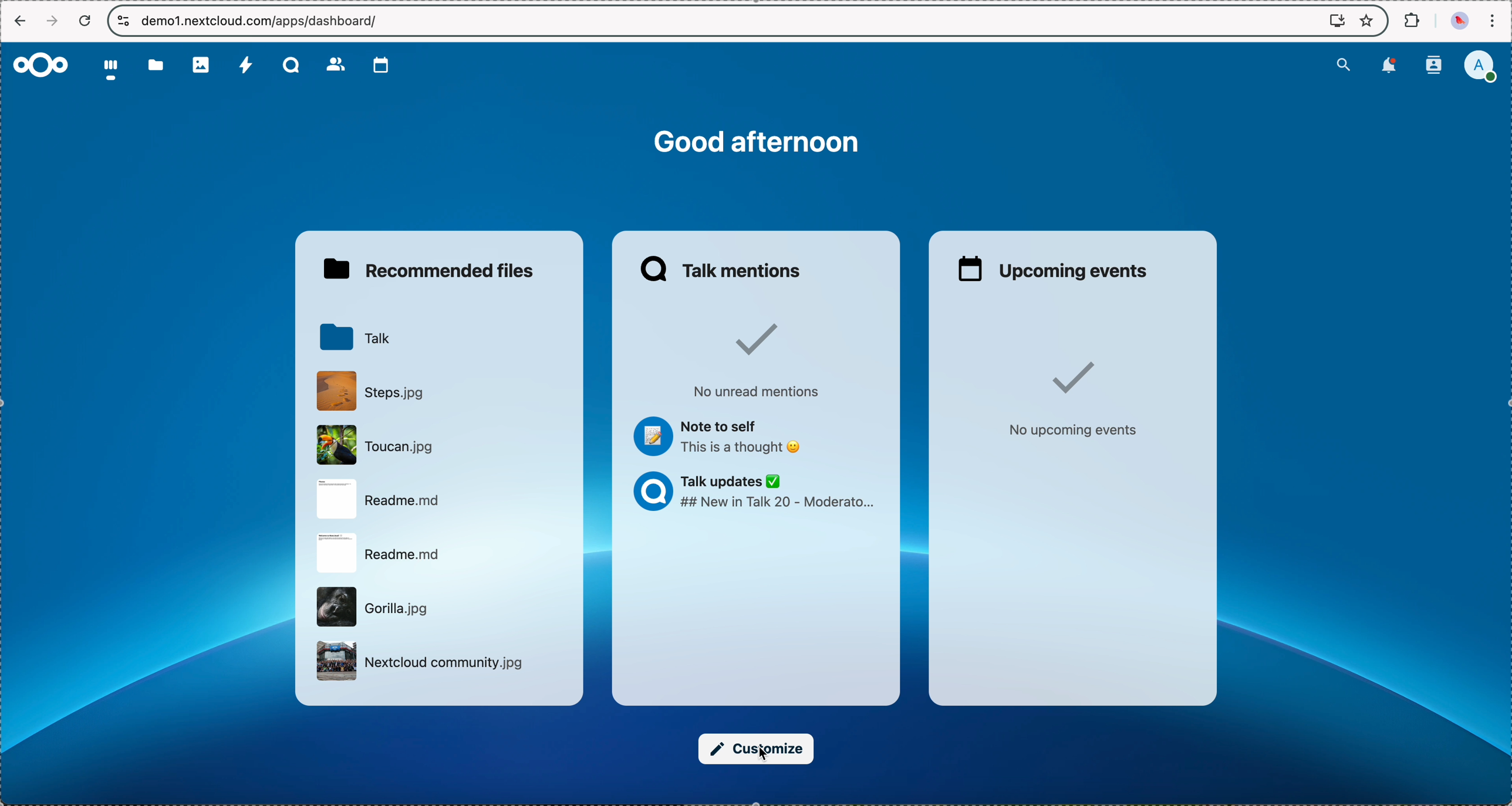 The height and width of the screenshot is (806, 1512). I want to click on controls, so click(121, 21).